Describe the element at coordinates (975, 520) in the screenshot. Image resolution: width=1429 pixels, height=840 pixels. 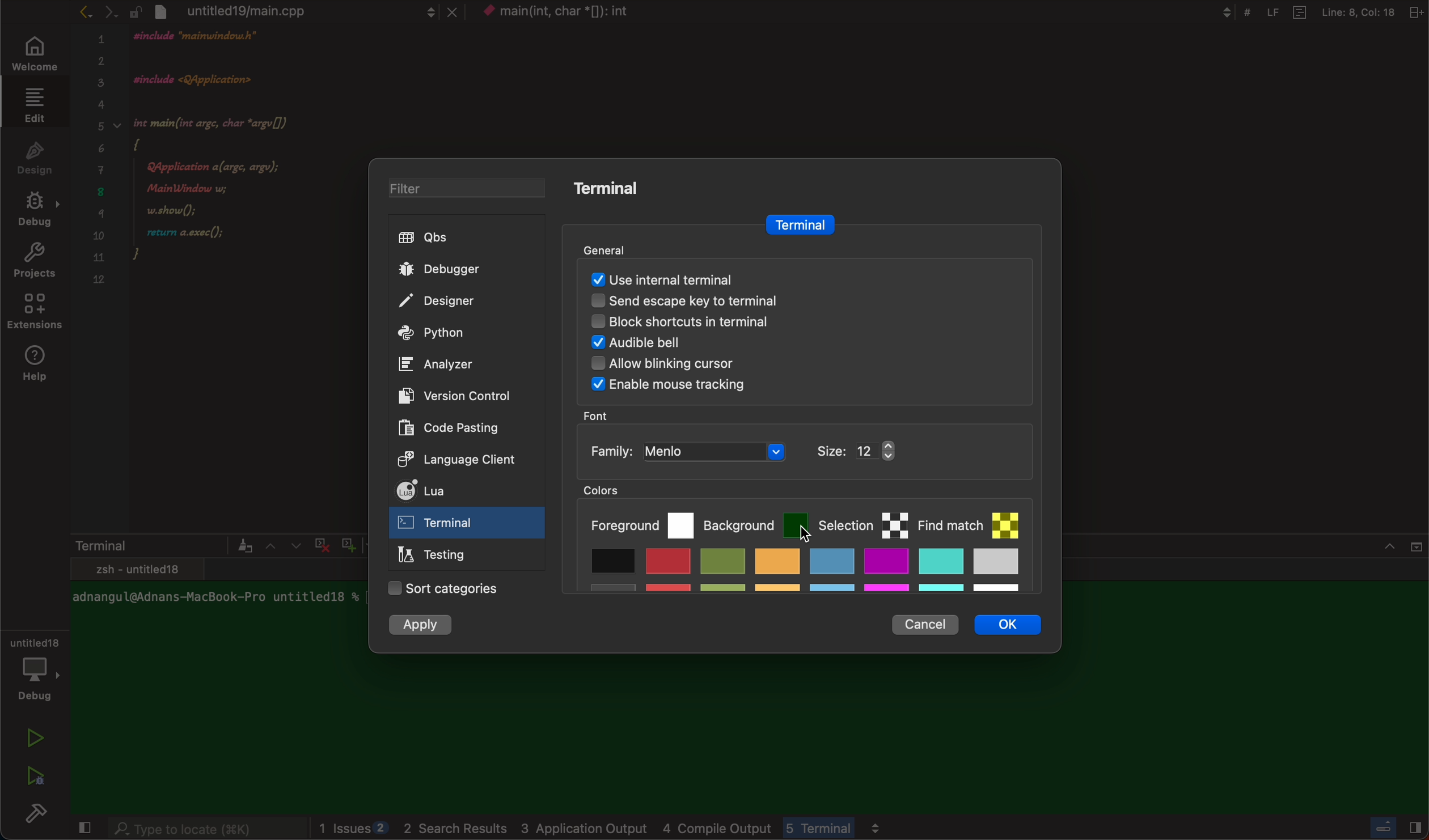
I see `find match` at that location.